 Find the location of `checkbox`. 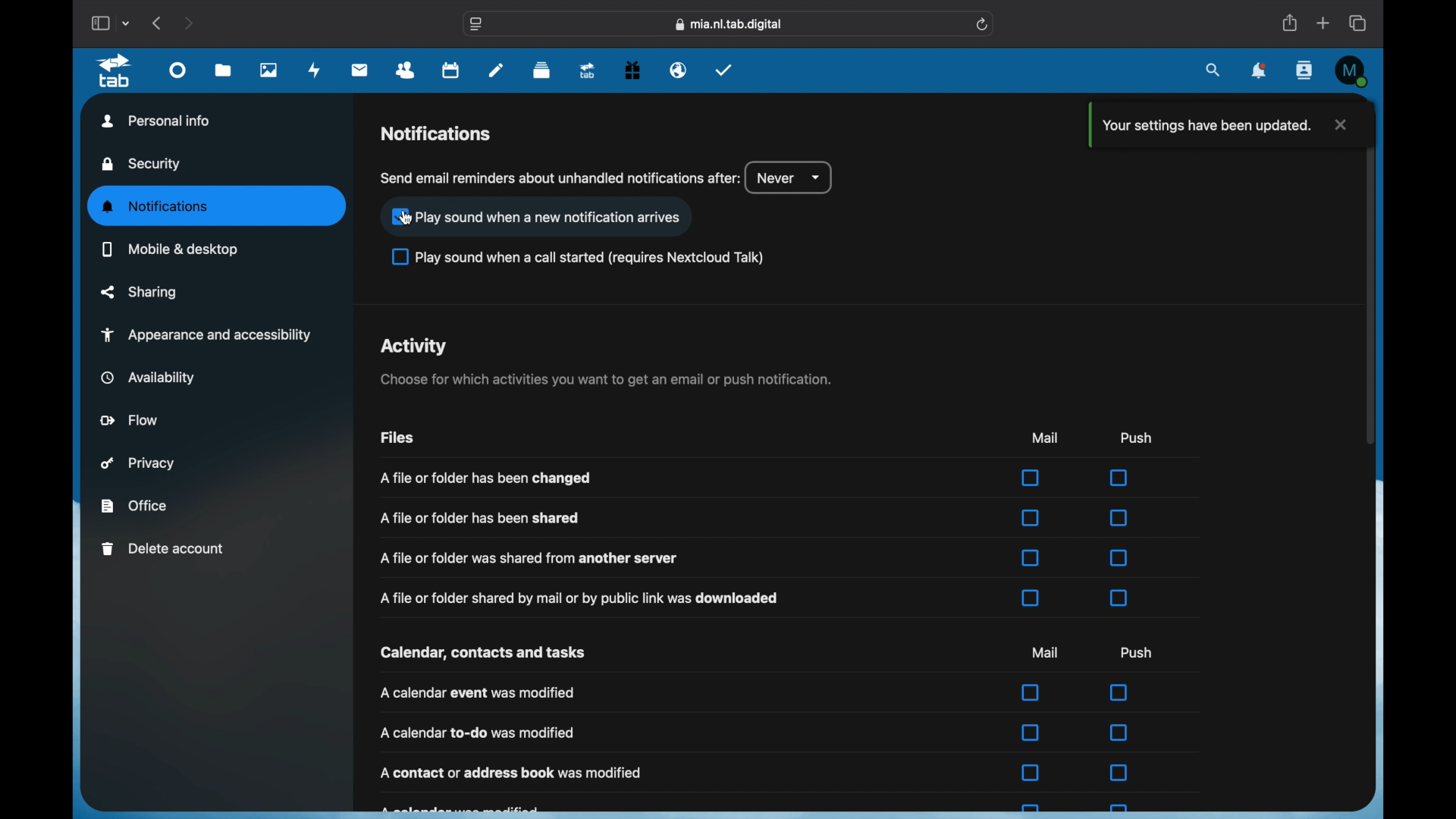

checkbox is located at coordinates (1120, 598).